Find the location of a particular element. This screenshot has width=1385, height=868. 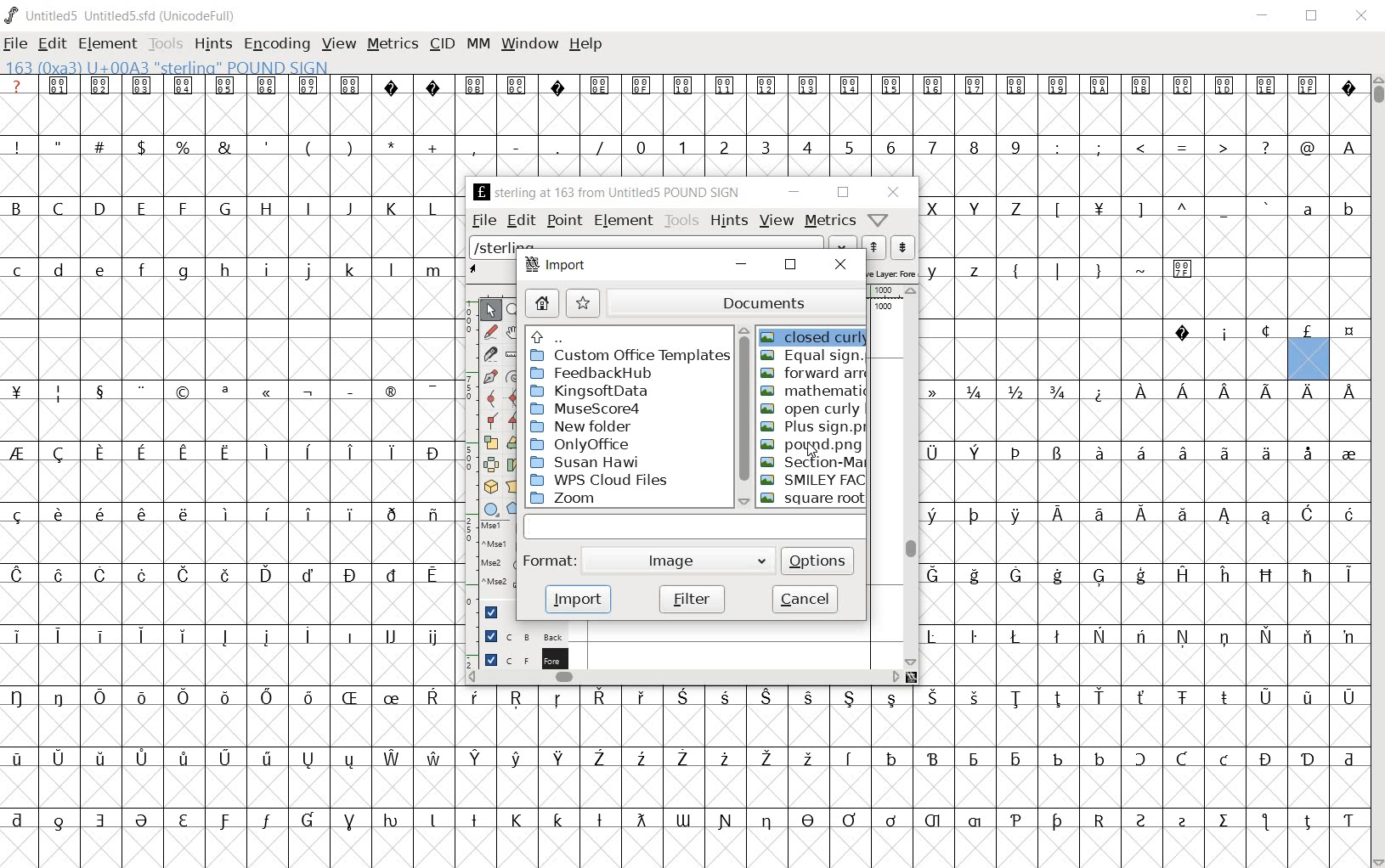

Symbol is located at coordinates (1182, 573).